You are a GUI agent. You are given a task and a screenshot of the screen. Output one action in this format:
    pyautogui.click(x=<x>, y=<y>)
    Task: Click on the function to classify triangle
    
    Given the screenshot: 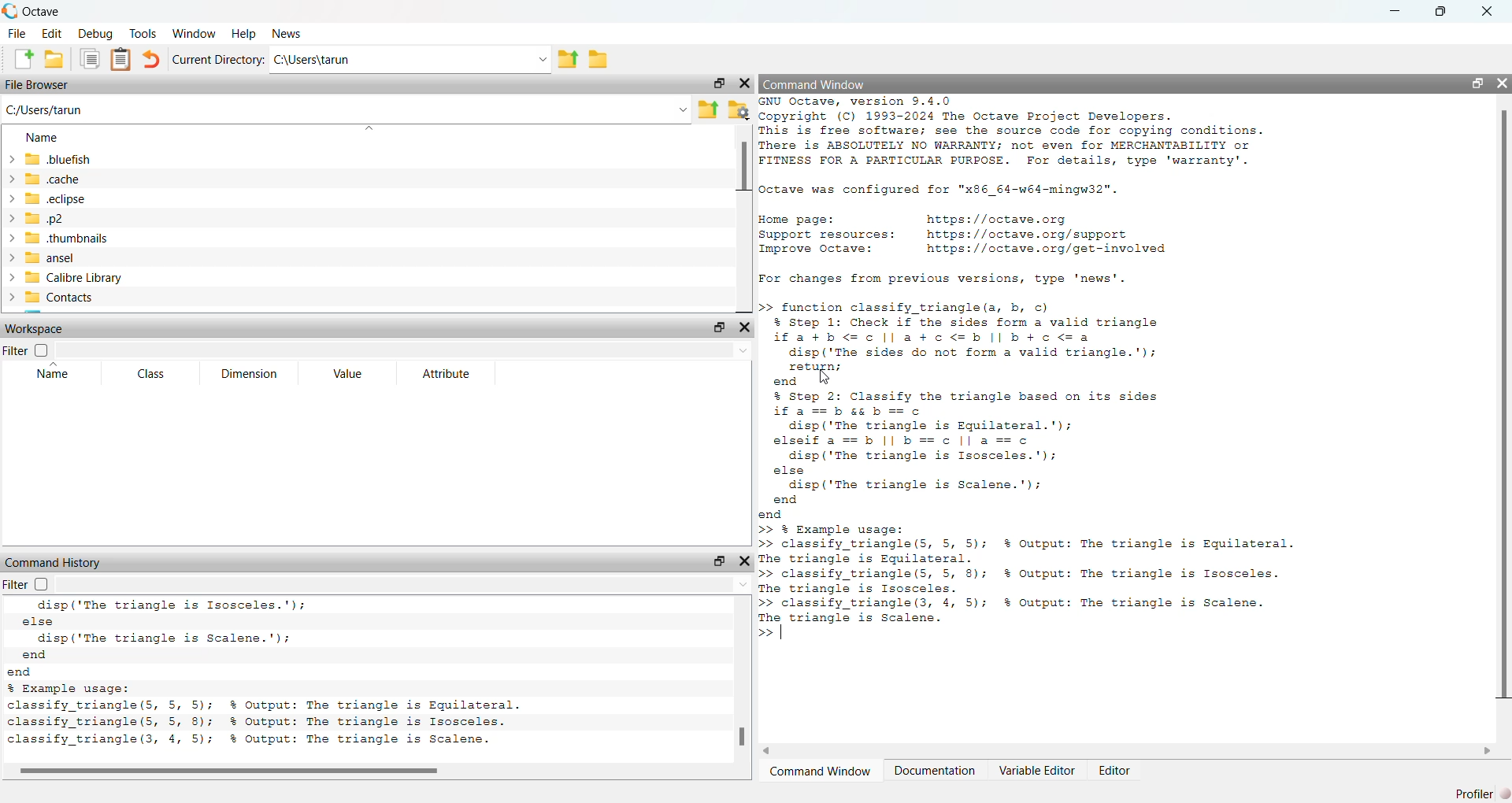 What is the action you would take?
    pyautogui.click(x=981, y=345)
    